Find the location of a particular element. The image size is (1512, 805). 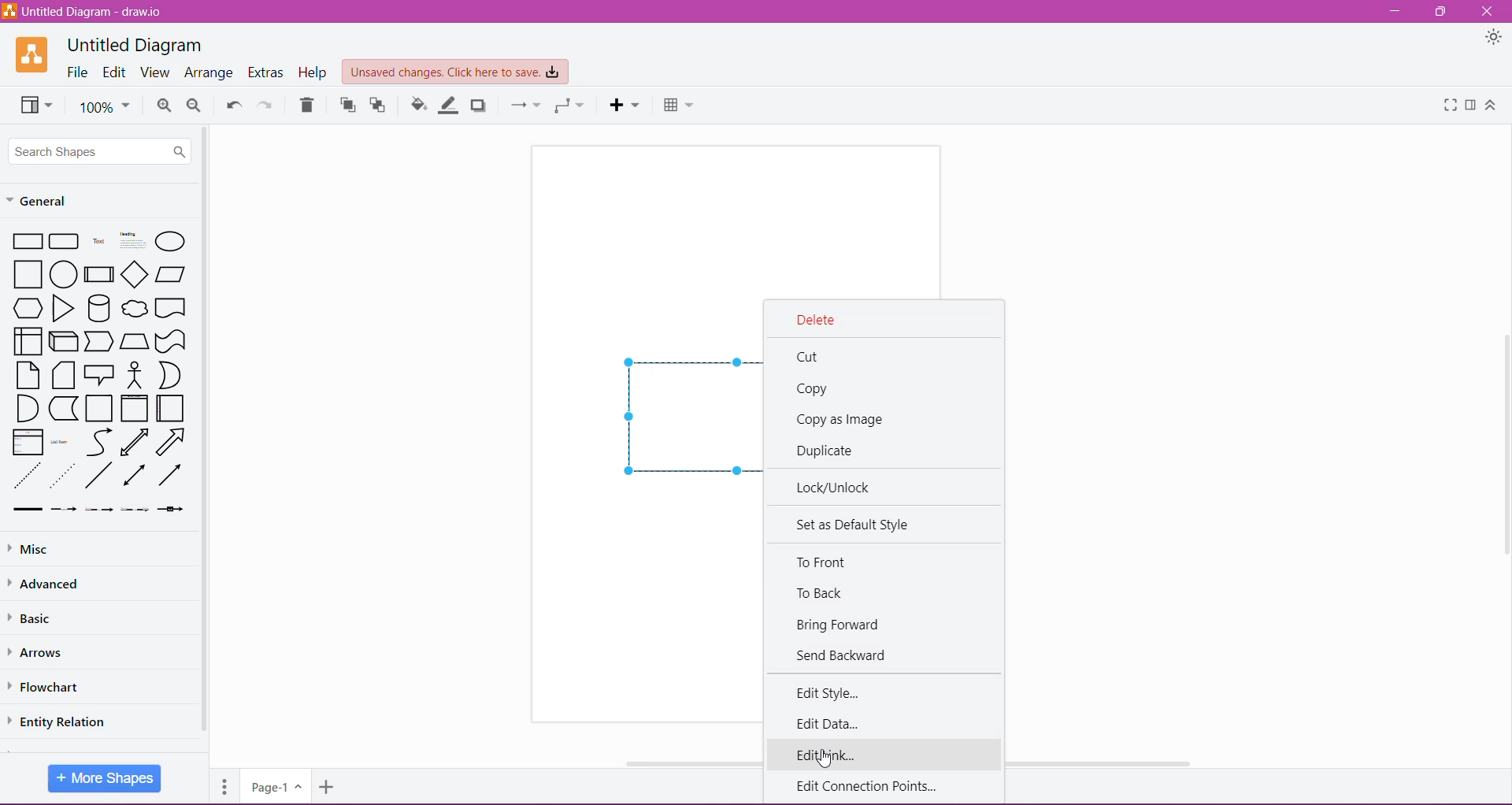

Advanced is located at coordinates (48, 584).